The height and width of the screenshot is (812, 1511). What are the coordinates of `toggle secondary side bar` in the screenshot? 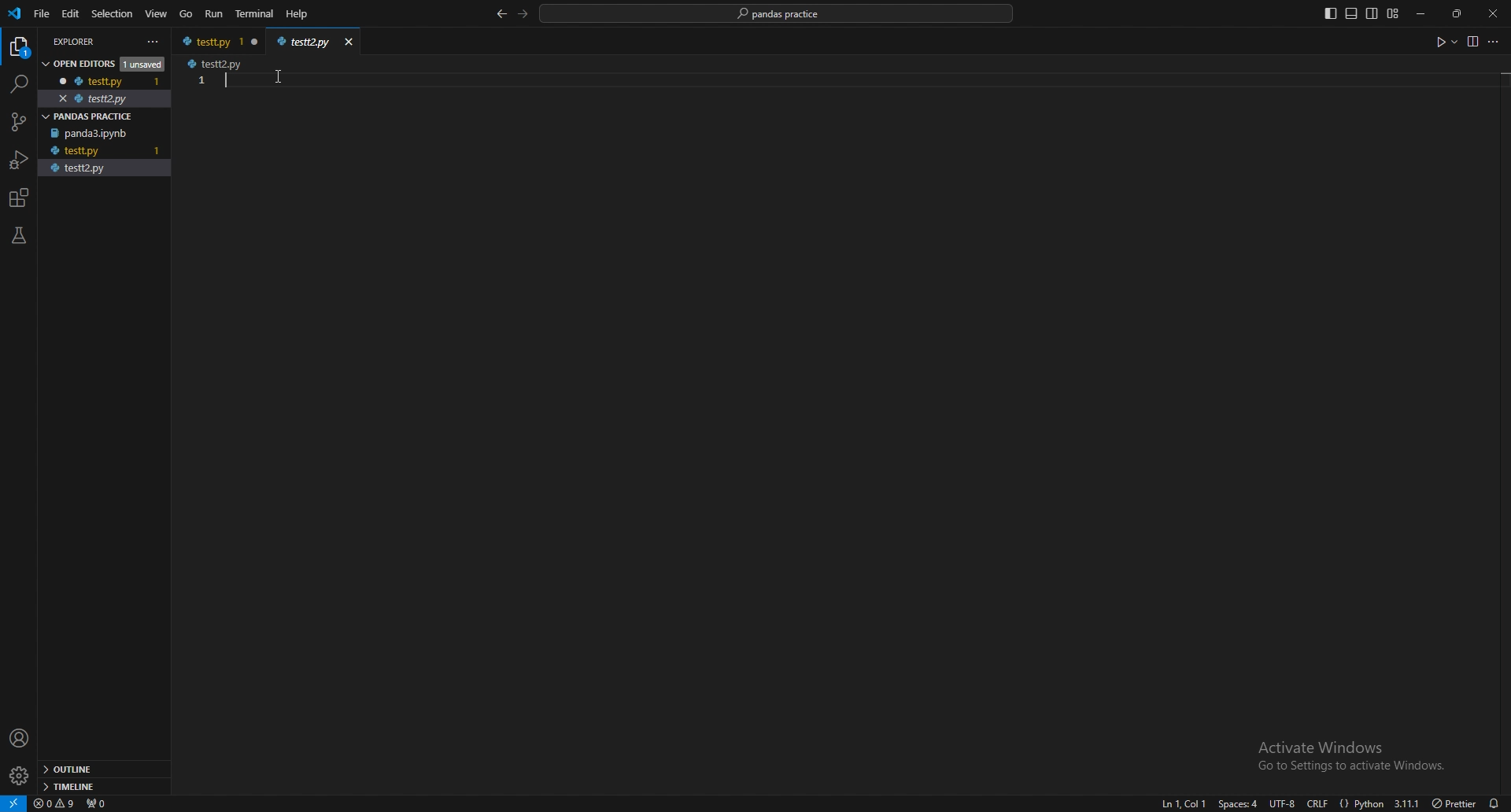 It's located at (1372, 13).